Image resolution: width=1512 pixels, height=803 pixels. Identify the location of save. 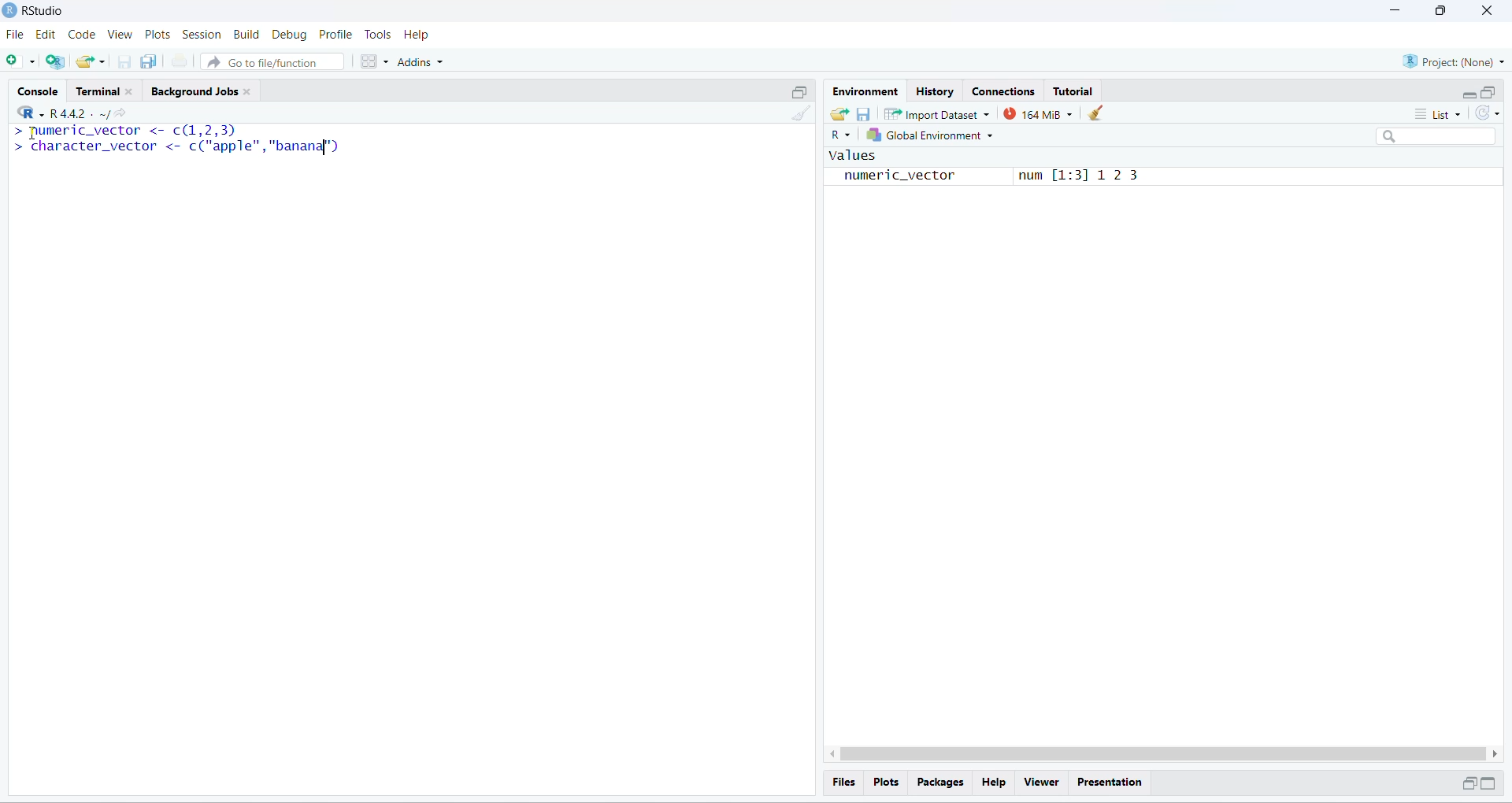
(862, 114).